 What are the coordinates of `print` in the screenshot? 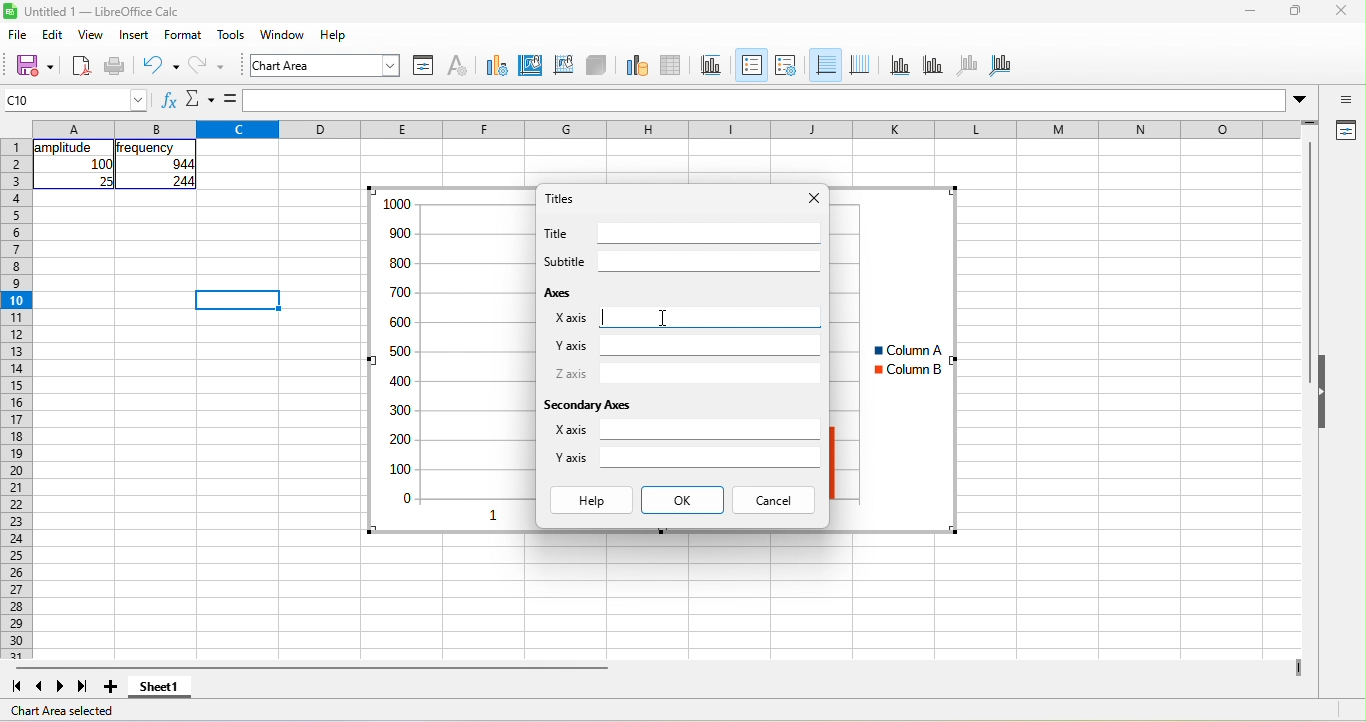 It's located at (115, 67).